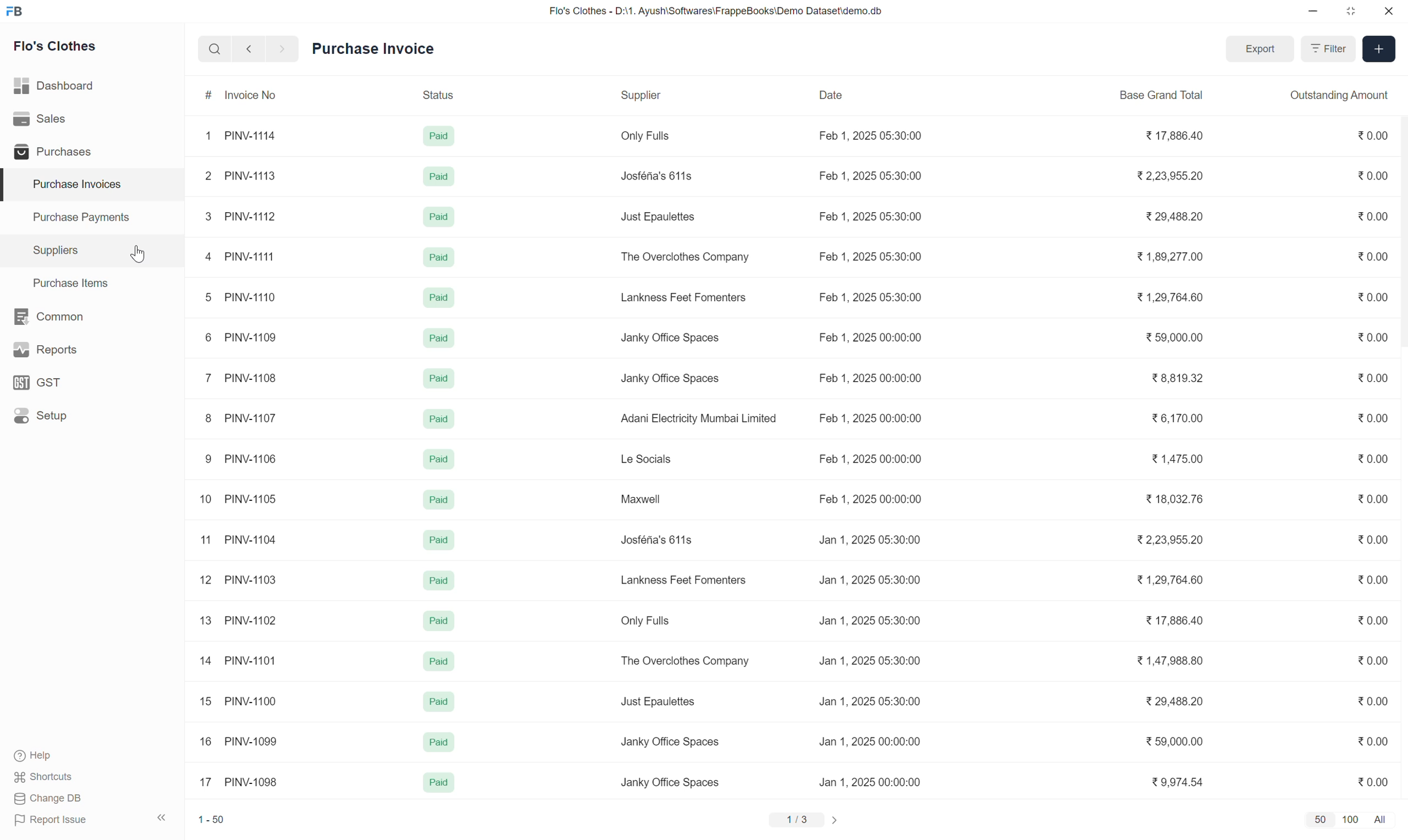 This screenshot has height=840, width=1408. What do you see at coordinates (871, 661) in the screenshot?
I see `Jan 1, 2025 05:30:00` at bounding box center [871, 661].